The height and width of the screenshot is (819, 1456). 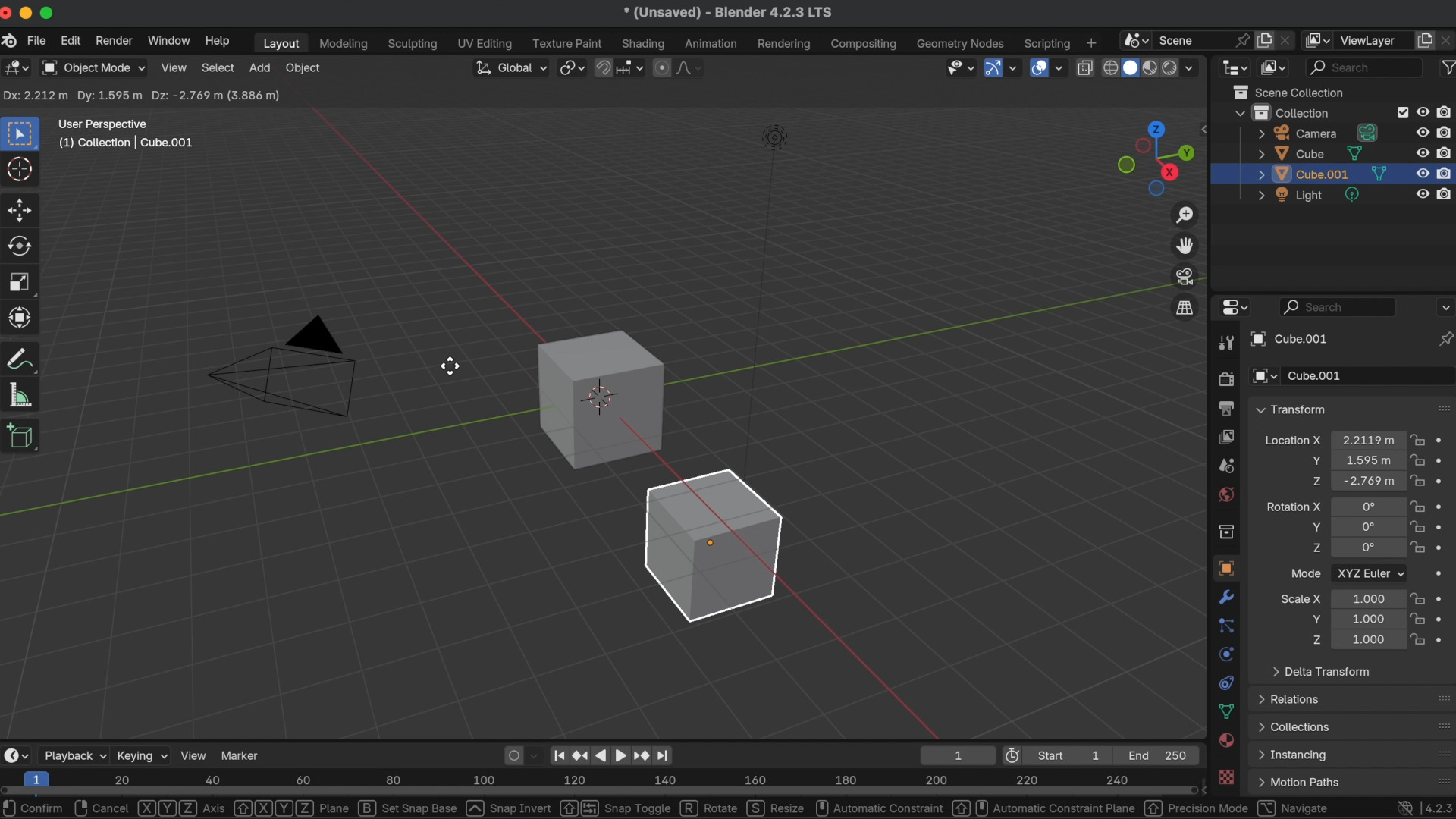 What do you see at coordinates (17, 69) in the screenshot?
I see `editor type` at bounding box center [17, 69].